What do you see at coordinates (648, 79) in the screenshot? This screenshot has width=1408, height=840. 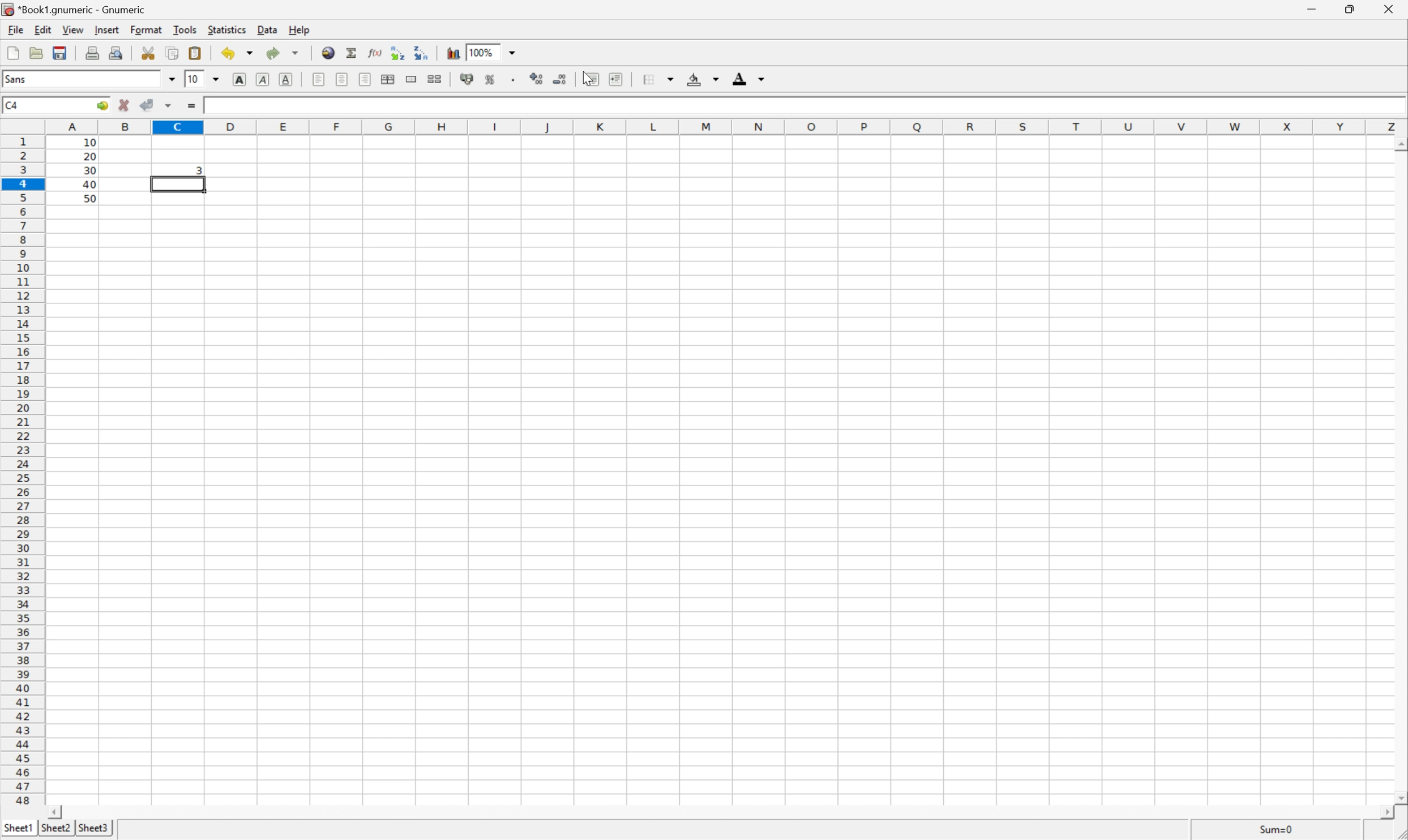 I see `Borders` at bounding box center [648, 79].